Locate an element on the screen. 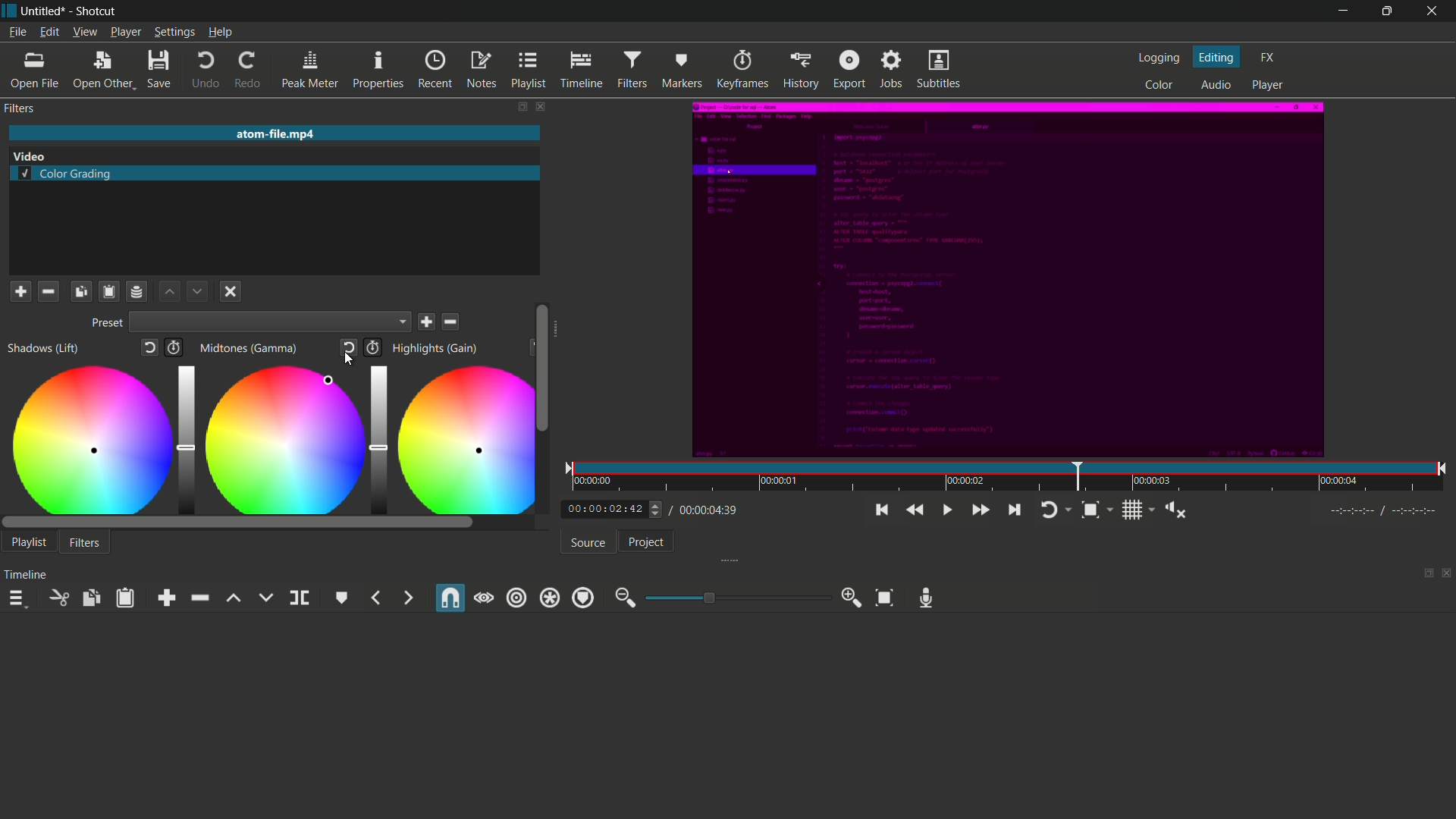 The image size is (1456, 819). timeline is located at coordinates (579, 70).